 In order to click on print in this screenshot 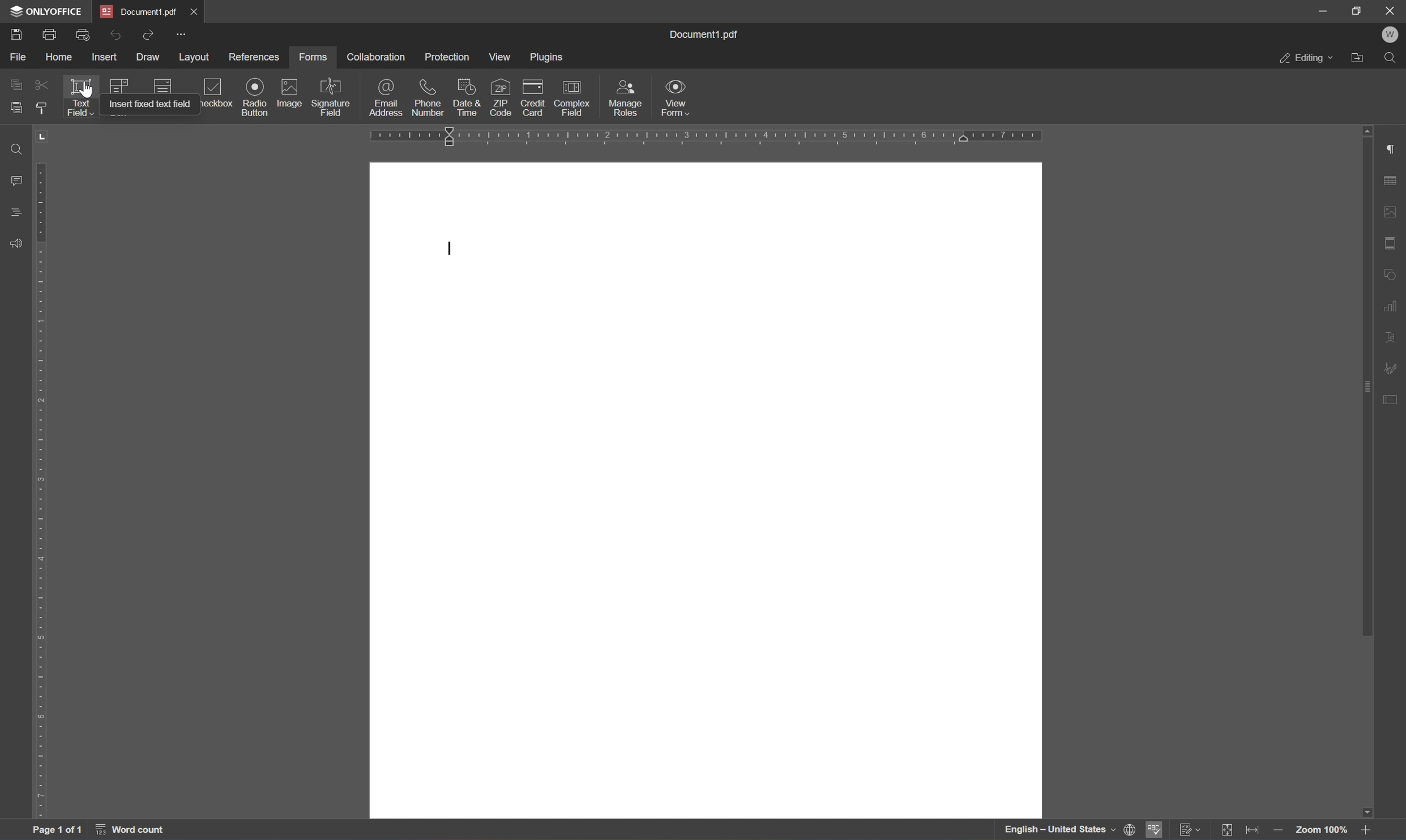, I will do `click(49, 34)`.